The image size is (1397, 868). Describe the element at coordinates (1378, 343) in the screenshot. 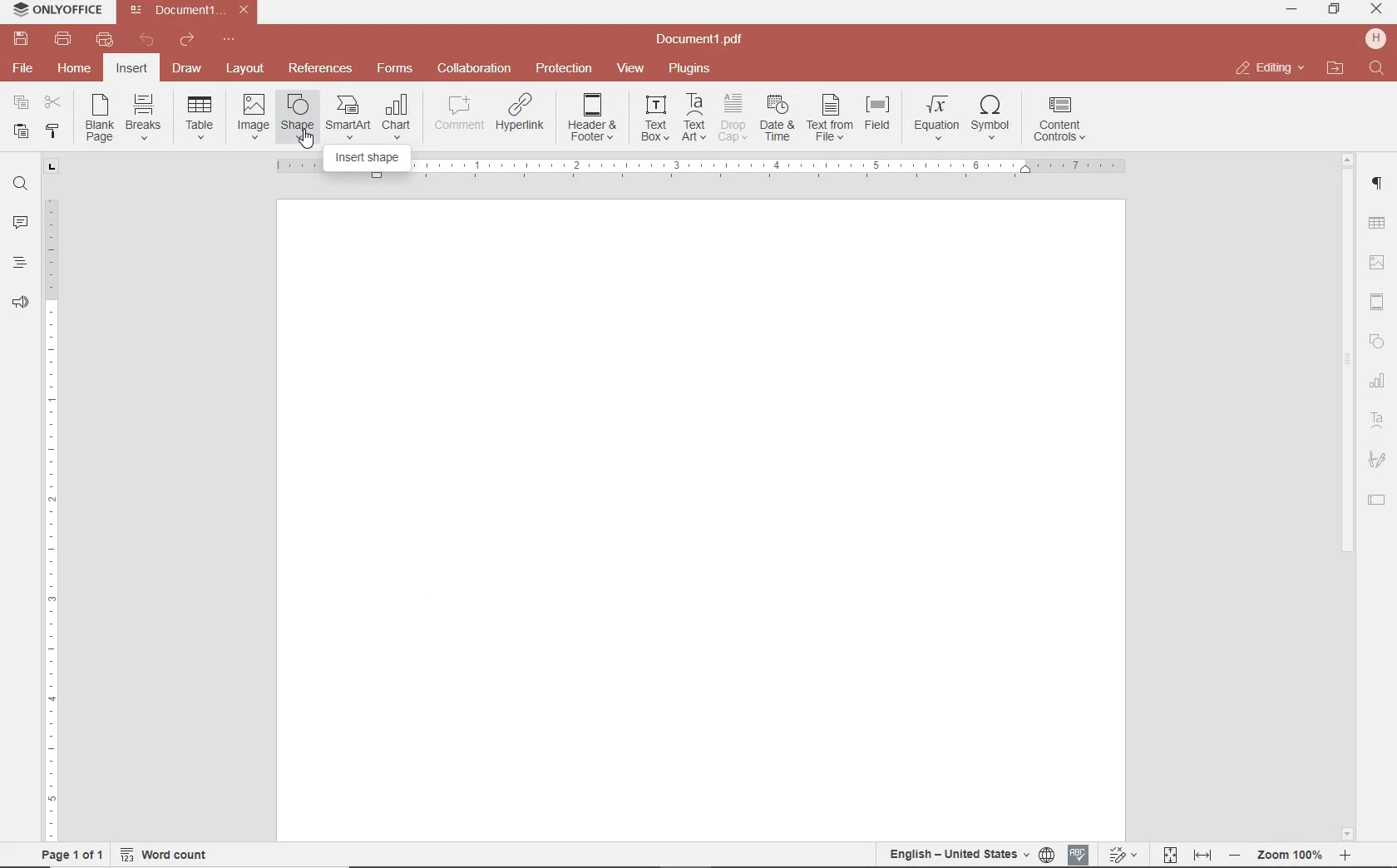

I see `SHAPES` at that location.